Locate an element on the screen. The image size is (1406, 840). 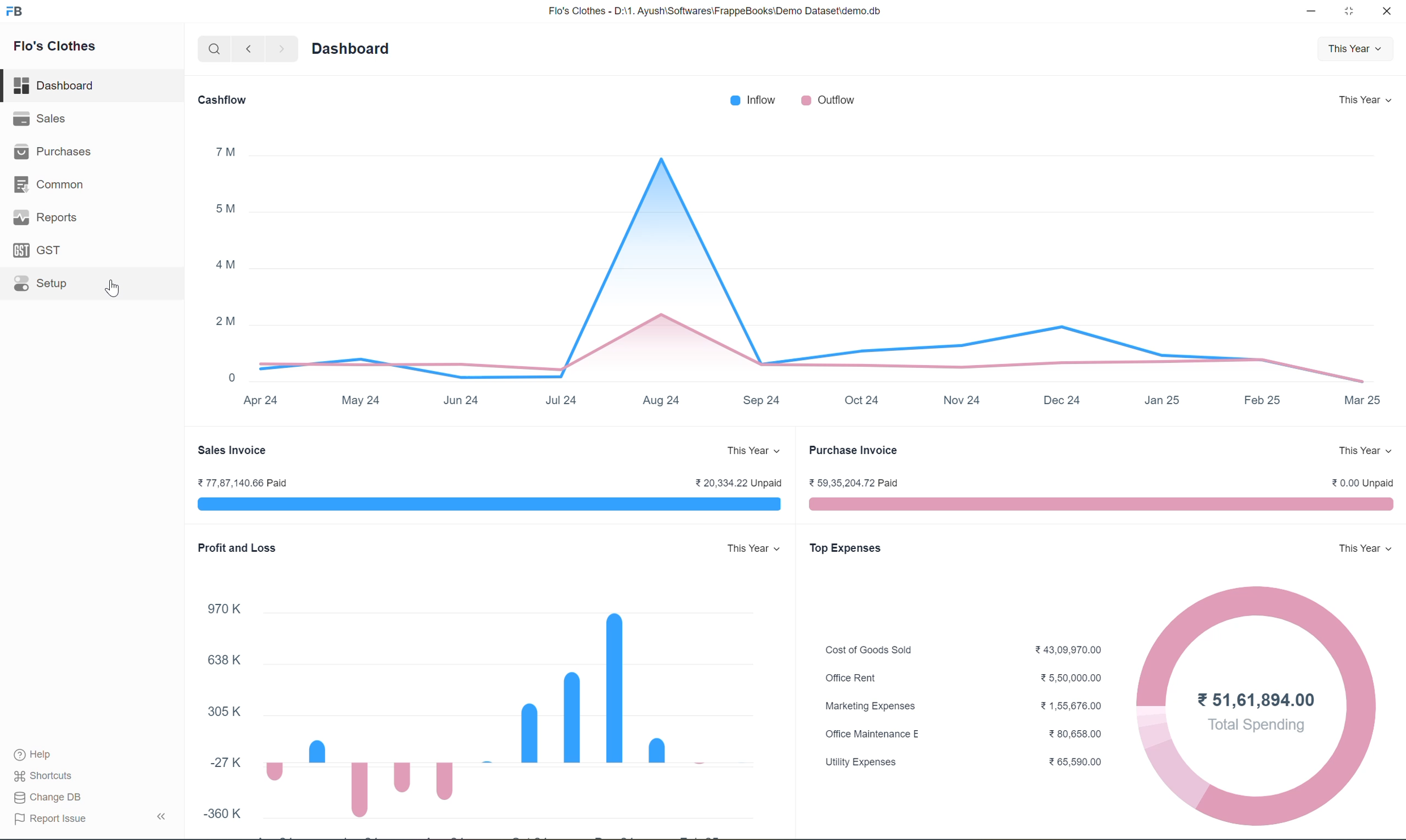
970K is located at coordinates (225, 609).